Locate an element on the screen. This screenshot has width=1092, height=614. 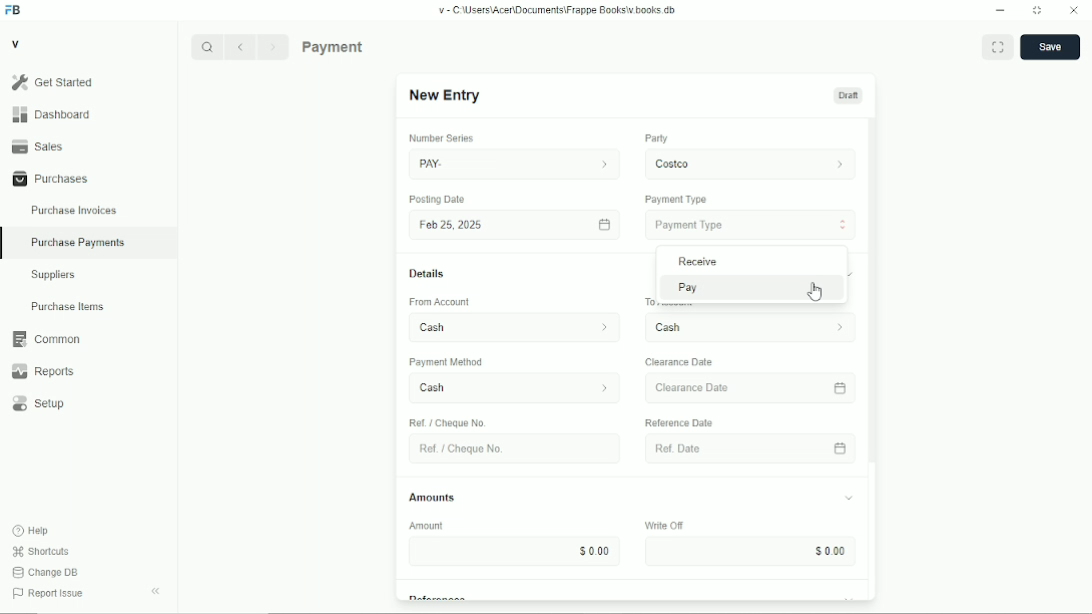
Clearance Date is located at coordinates (683, 362).